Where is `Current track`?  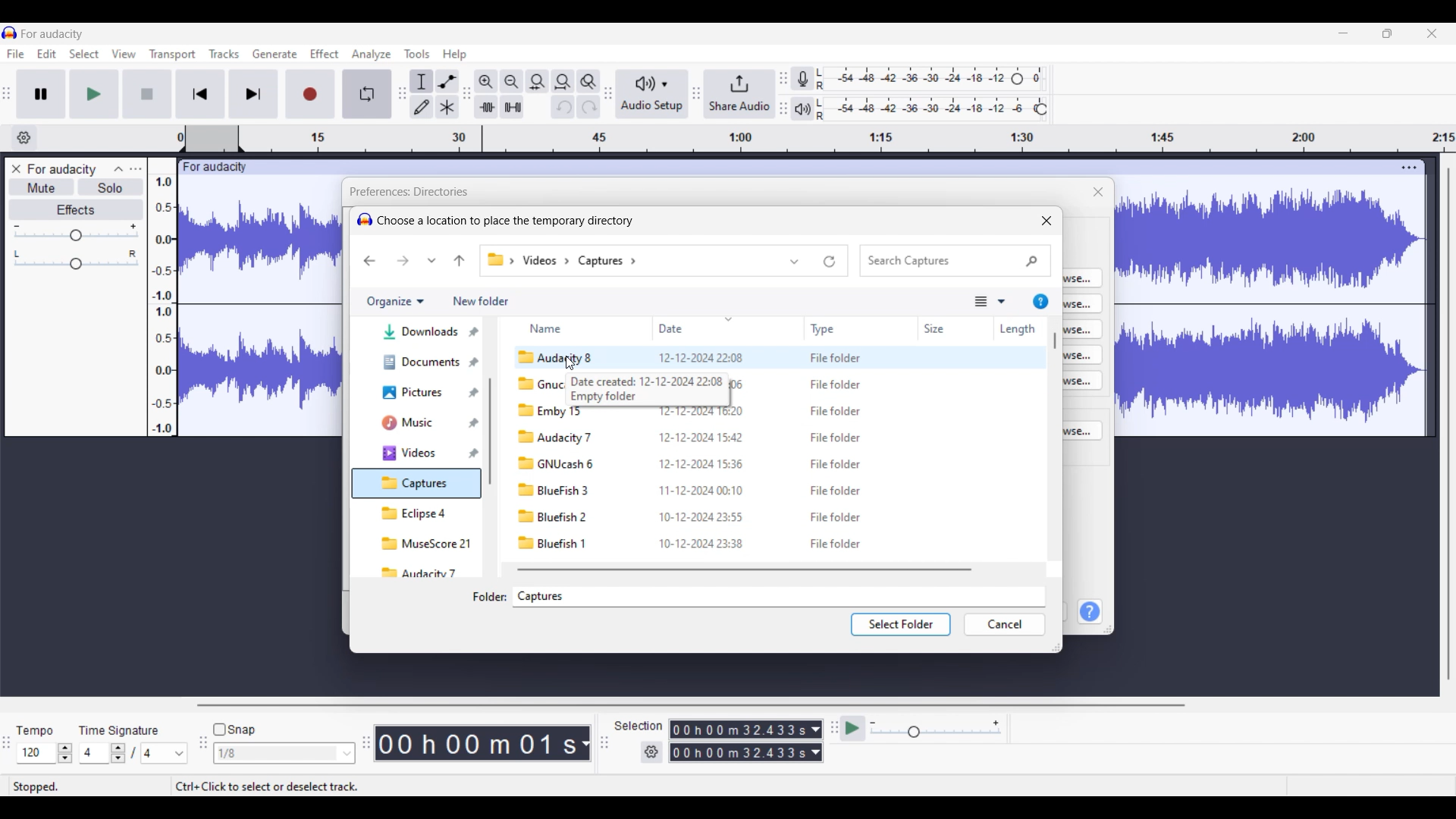 Current track is located at coordinates (1257, 297).